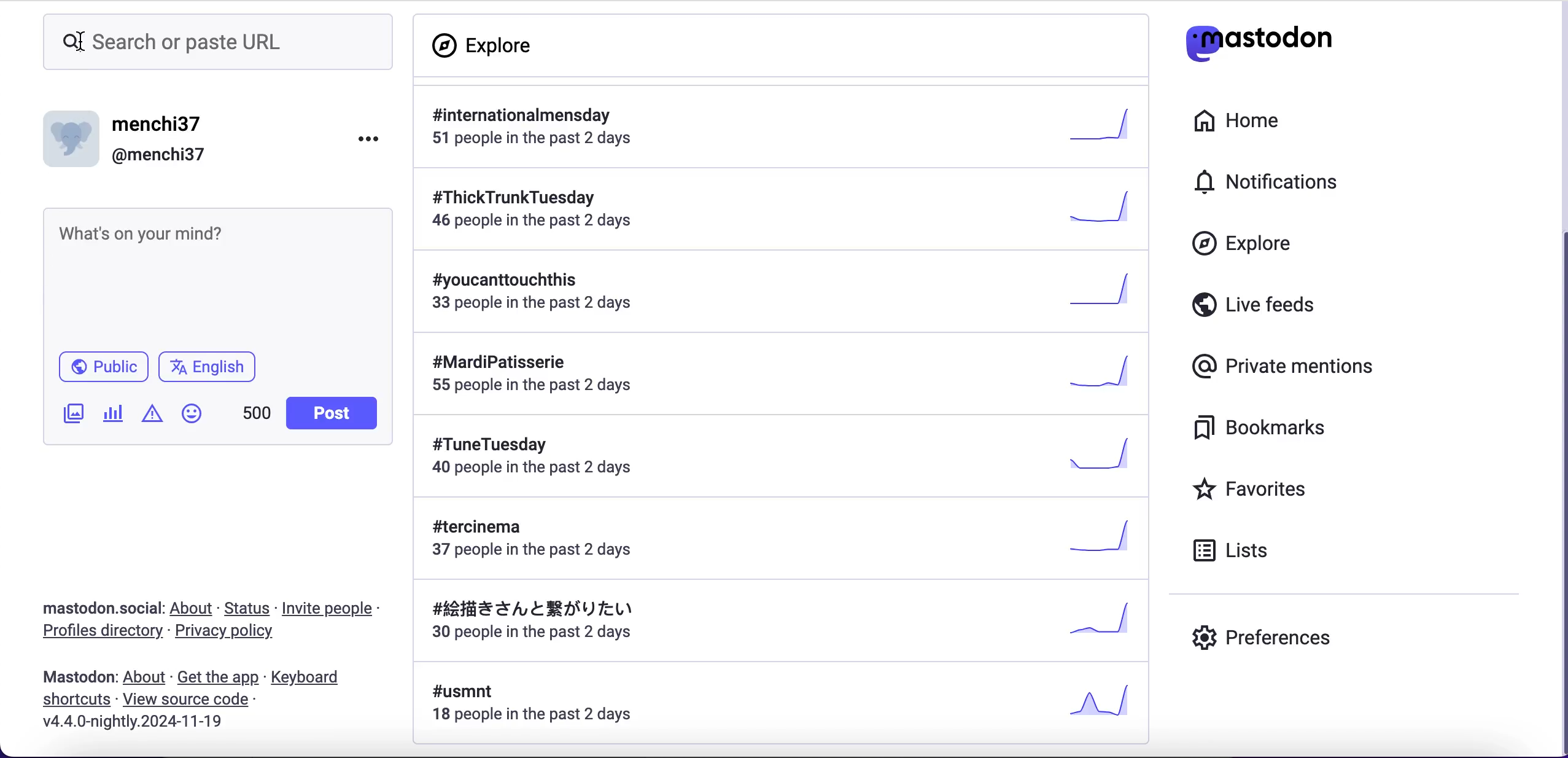 Image resolution: width=1568 pixels, height=758 pixels. I want to click on notifications, so click(1270, 182).